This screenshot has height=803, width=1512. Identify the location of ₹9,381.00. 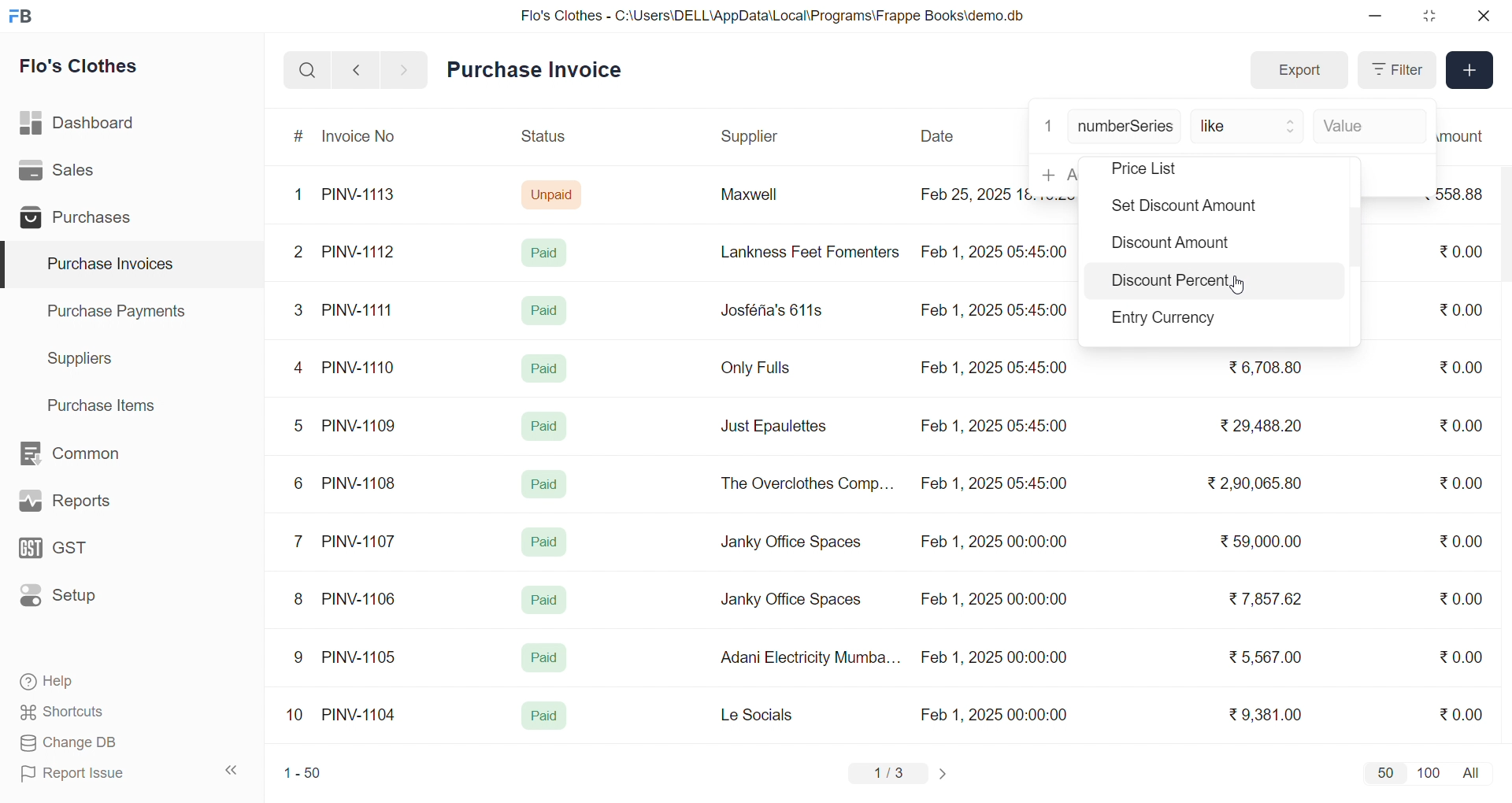
(1266, 715).